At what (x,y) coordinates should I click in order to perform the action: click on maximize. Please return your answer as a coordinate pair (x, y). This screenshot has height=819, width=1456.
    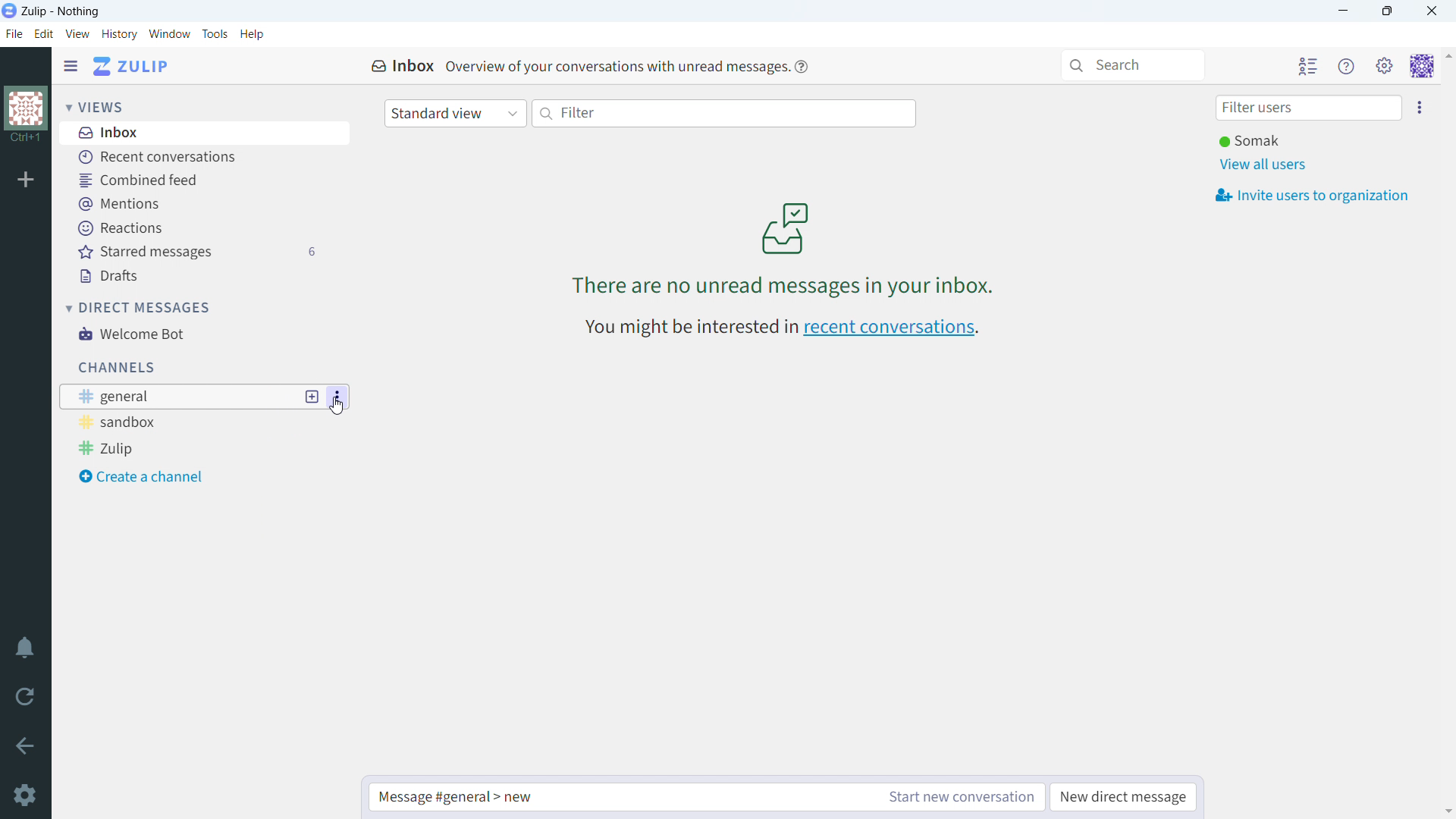
    Looking at the image, I should click on (1388, 11).